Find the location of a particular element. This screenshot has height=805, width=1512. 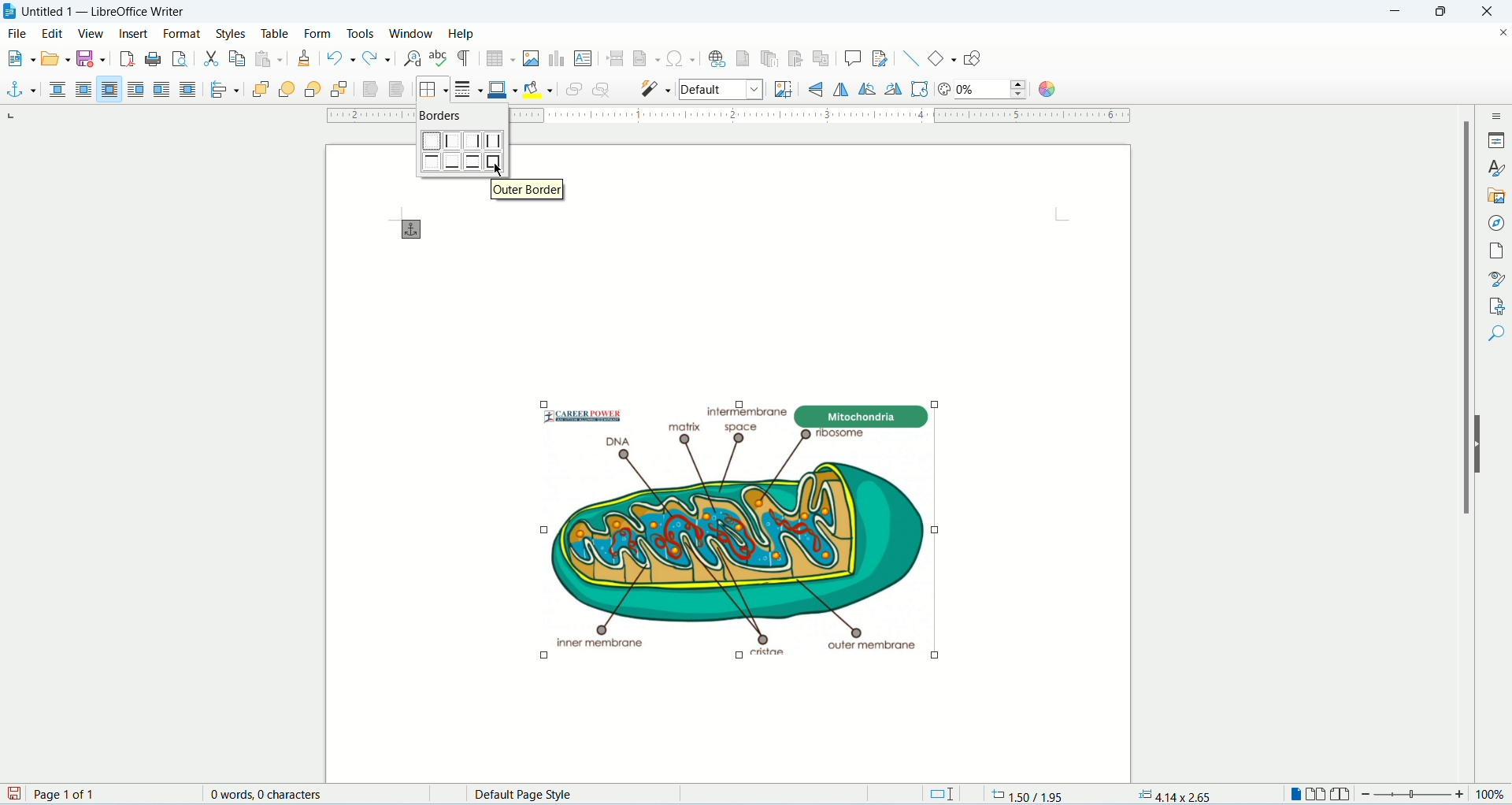

page 1 of 1 is located at coordinates (110, 794).